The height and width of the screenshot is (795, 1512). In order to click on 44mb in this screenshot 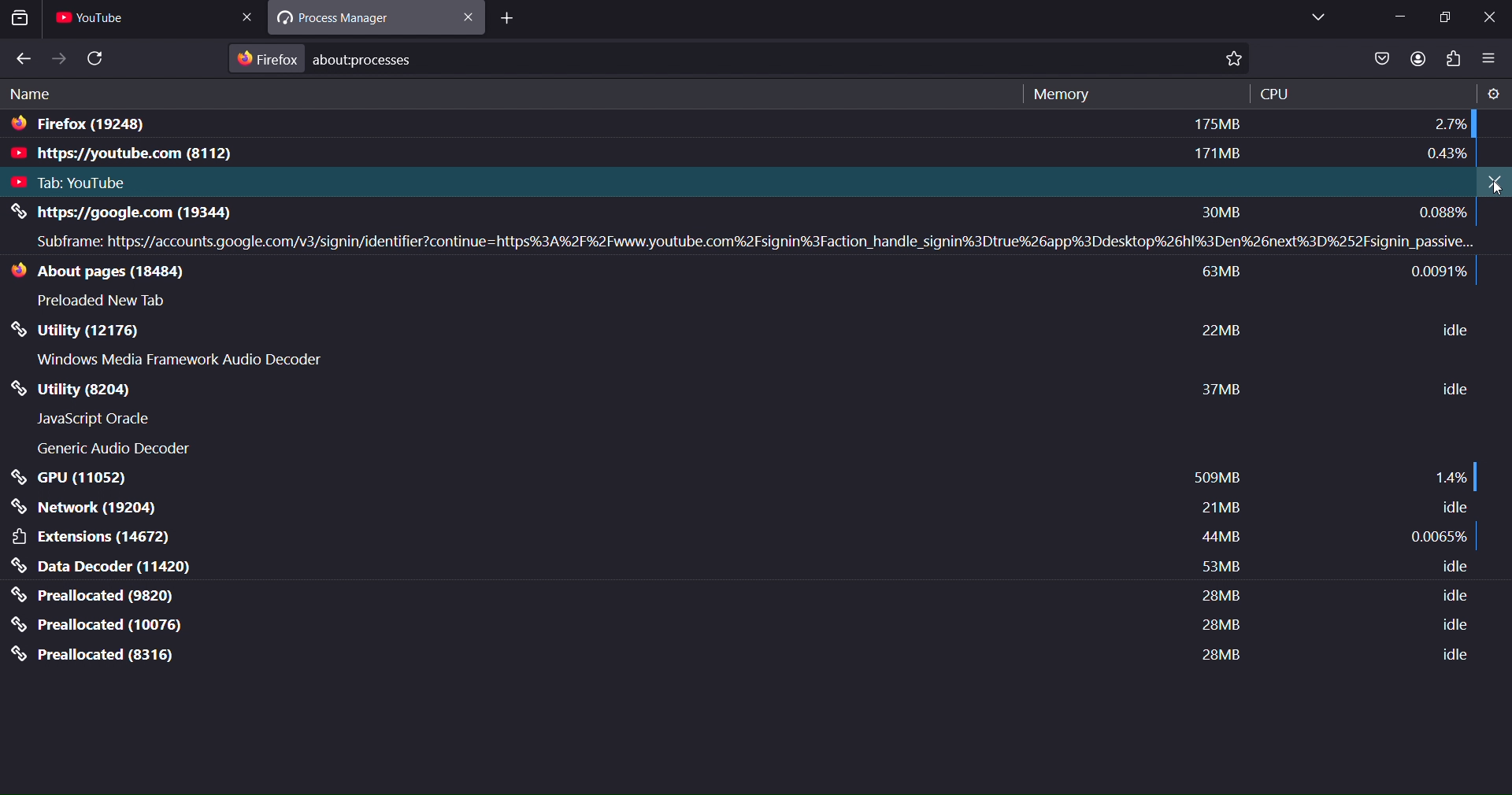, I will do `click(1216, 539)`.